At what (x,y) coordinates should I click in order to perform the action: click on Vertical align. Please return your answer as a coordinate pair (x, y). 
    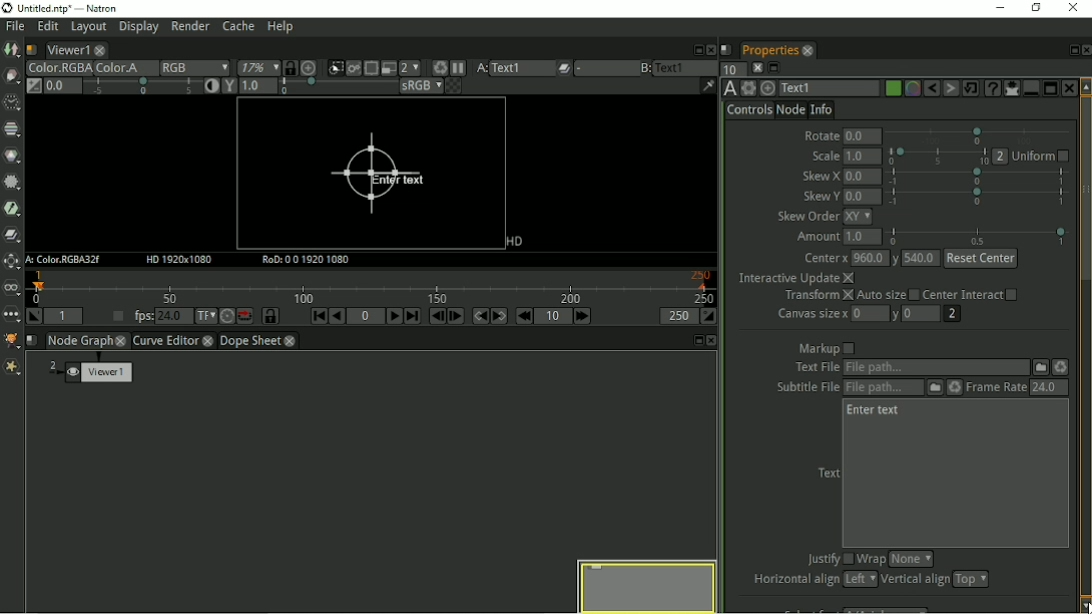
    Looking at the image, I should click on (915, 579).